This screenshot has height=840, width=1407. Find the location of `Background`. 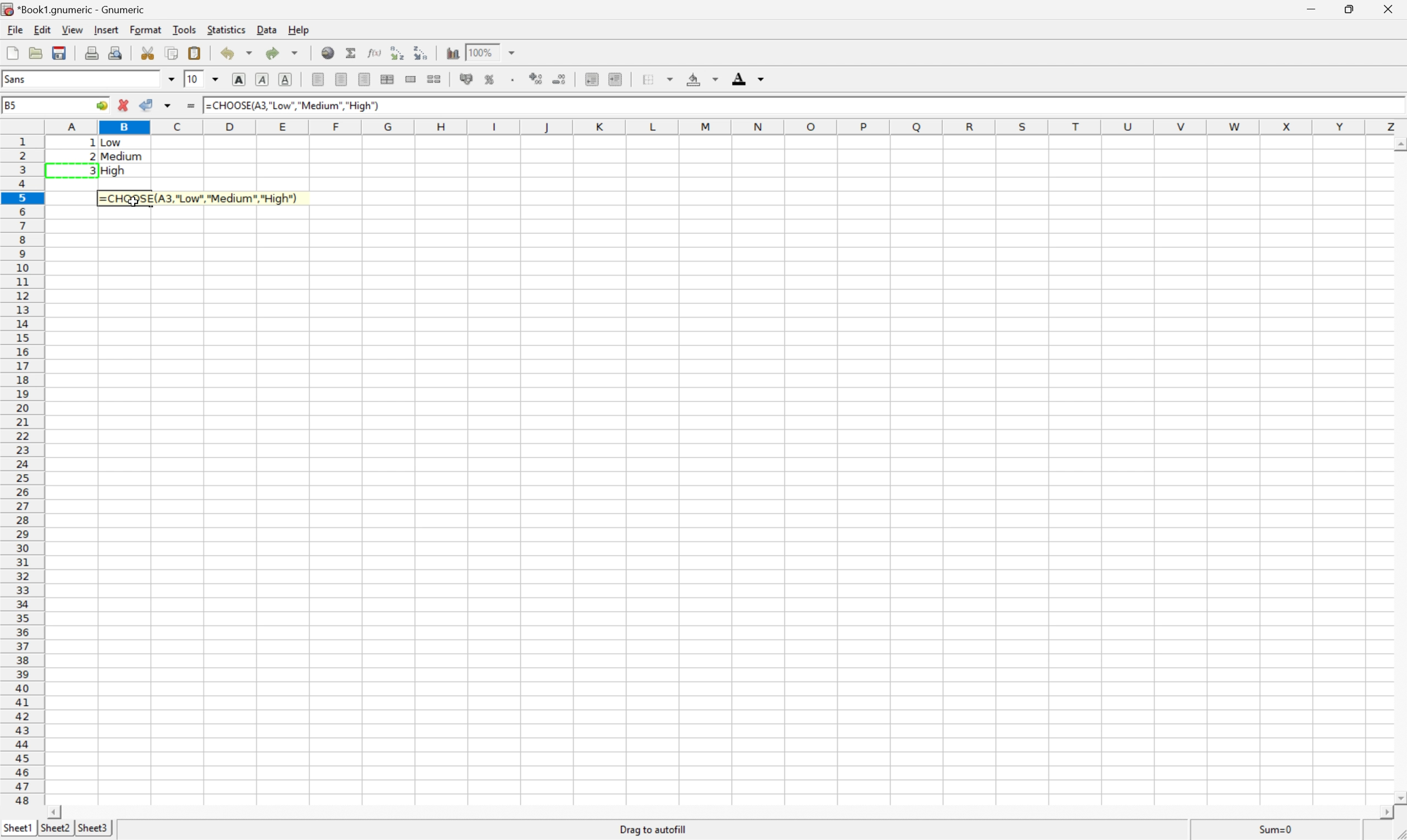

Background is located at coordinates (702, 78).